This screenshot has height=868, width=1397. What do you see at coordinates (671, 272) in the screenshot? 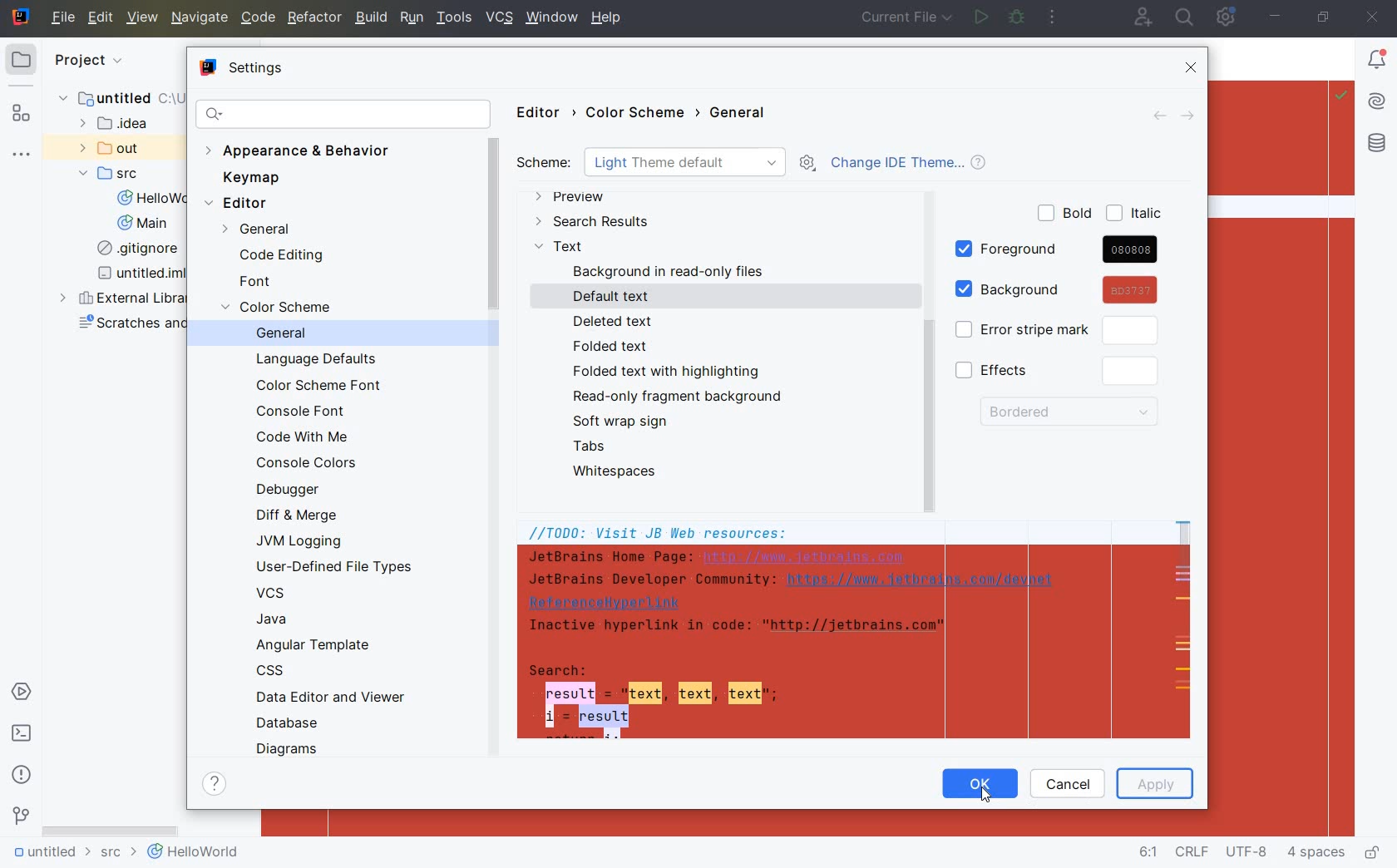
I see `BACKGROUND` at bounding box center [671, 272].